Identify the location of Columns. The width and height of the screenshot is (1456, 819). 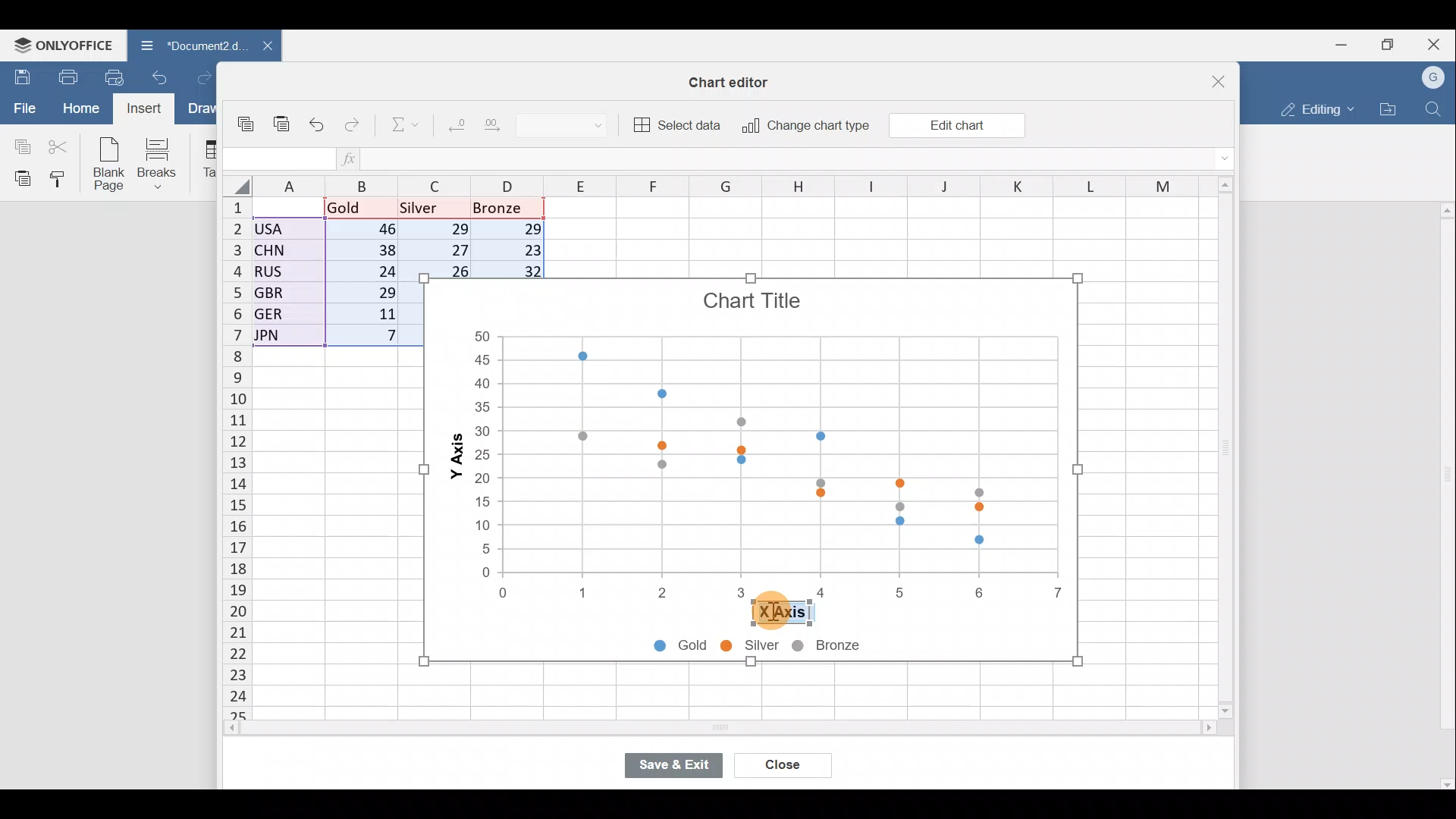
(726, 184).